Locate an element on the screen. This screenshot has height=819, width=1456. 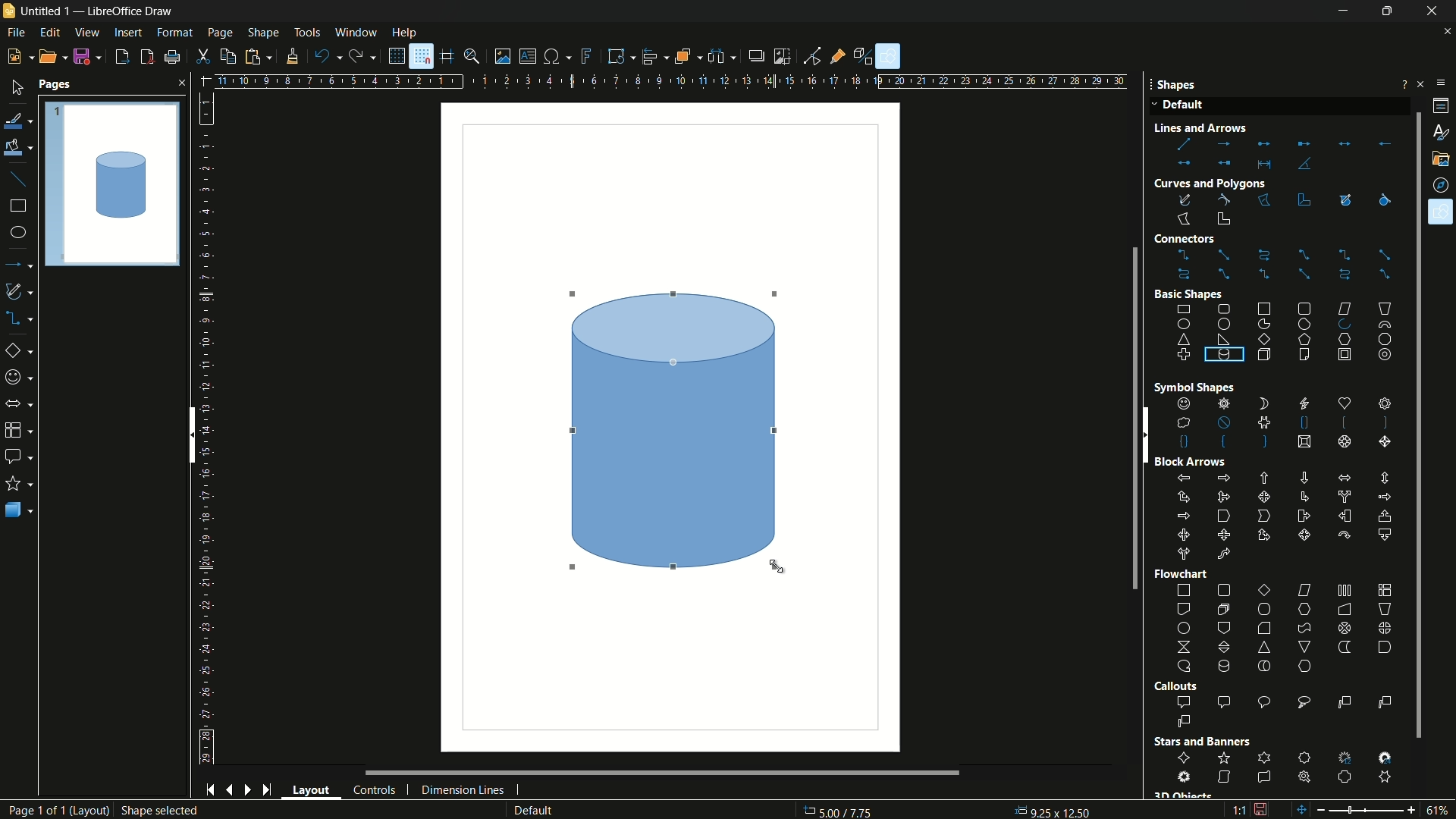
flow chart is located at coordinates (22, 430).